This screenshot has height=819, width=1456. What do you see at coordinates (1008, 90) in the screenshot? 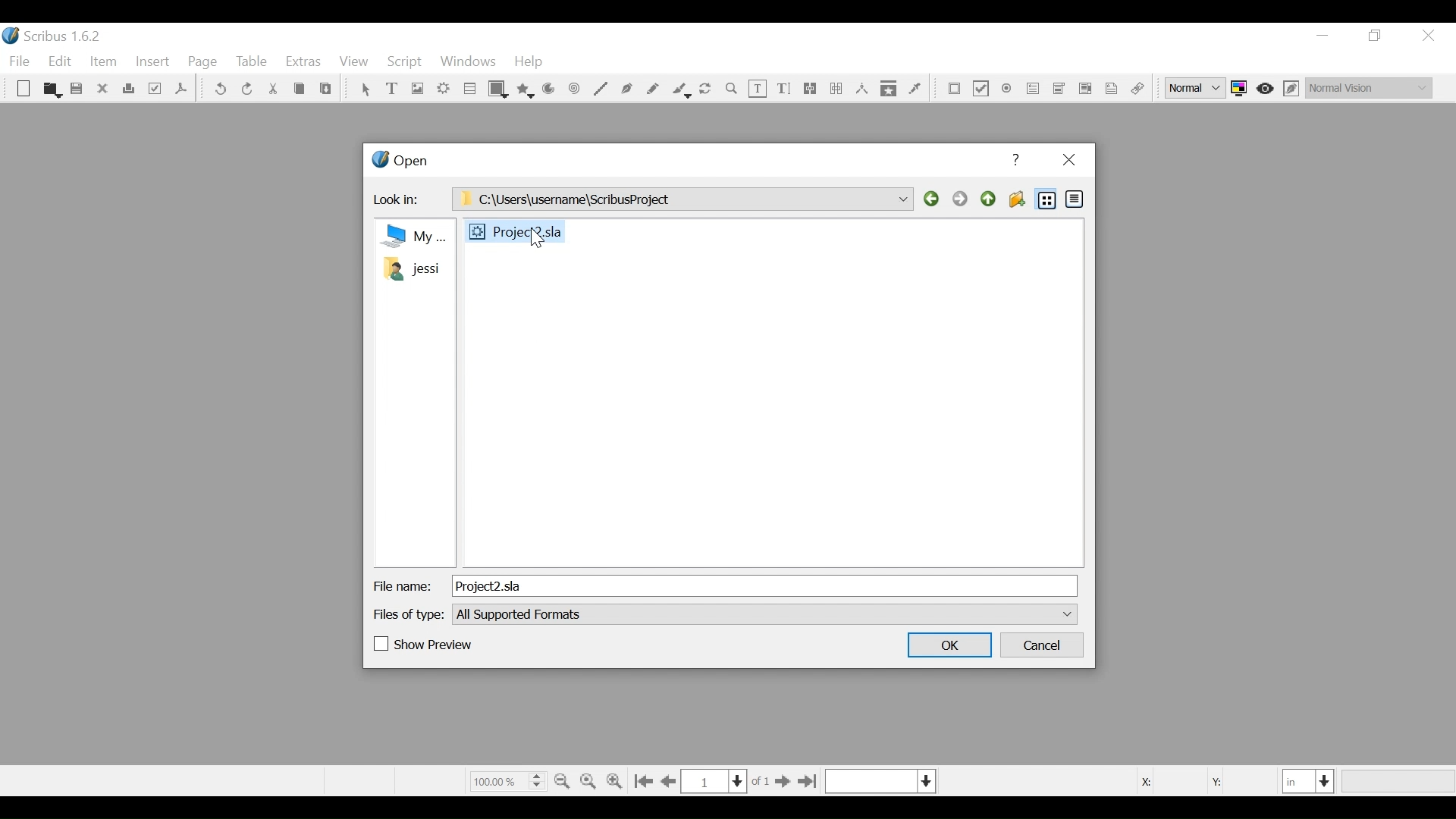
I see `PDF Radio Button` at bounding box center [1008, 90].